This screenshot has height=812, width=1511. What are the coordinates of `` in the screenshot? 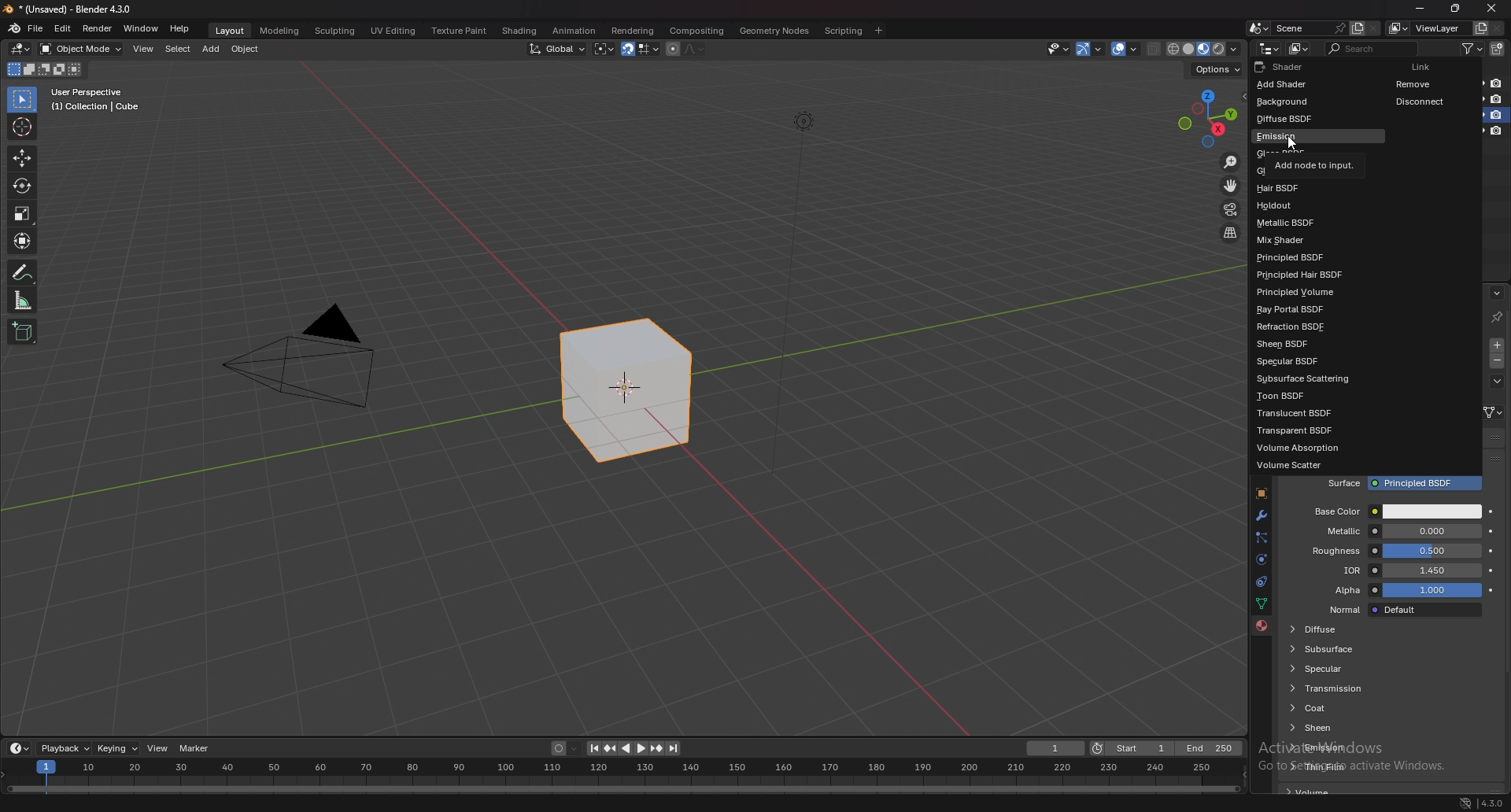 It's located at (801, 303).